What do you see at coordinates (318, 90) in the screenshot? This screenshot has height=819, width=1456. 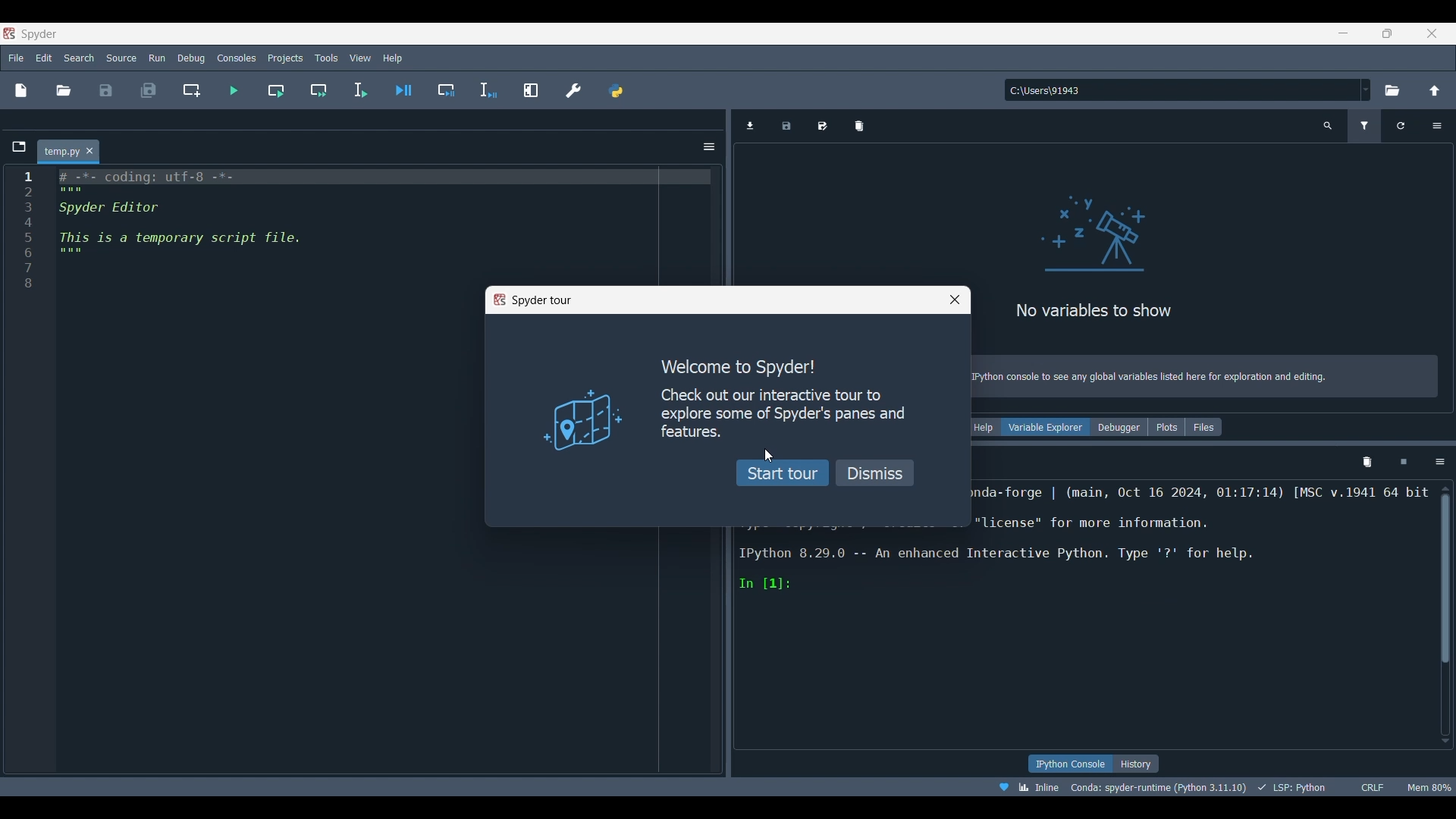 I see `Run current cell and go to the next one` at bounding box center [318, 90].